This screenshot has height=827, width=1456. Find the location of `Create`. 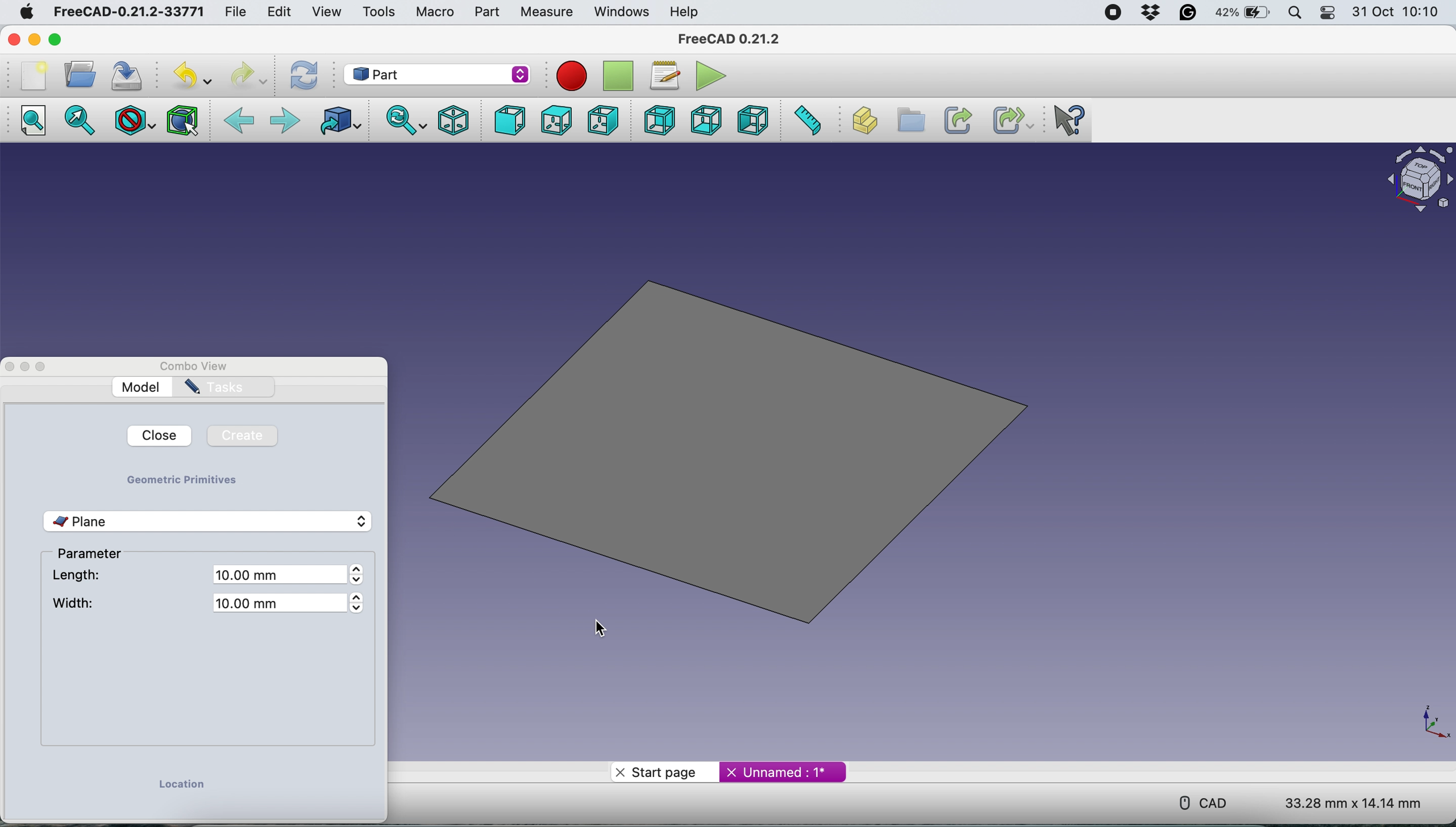

Create is located at coordinates (242, 436).